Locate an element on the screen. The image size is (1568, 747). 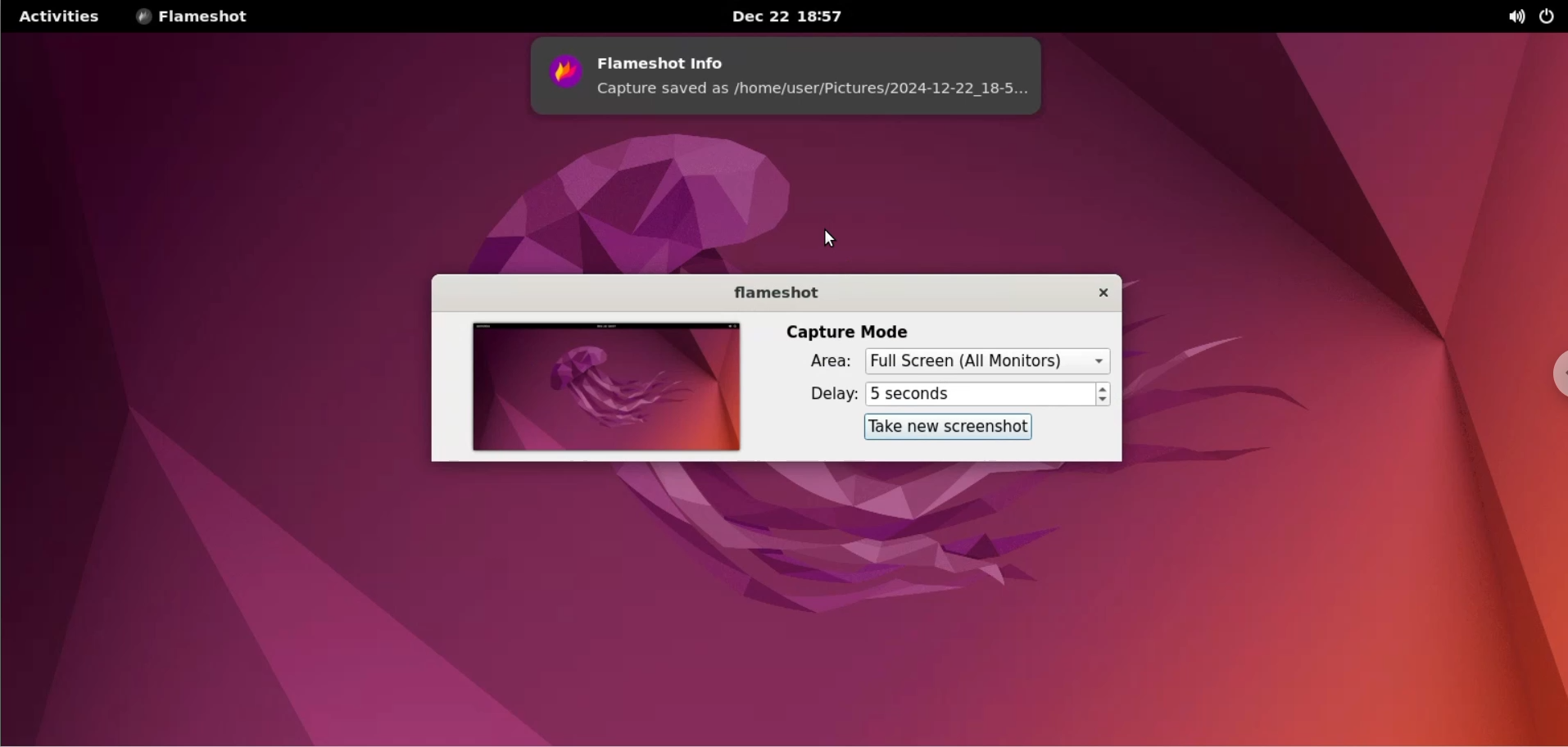
capture area options is located at coordinates (990, 361).